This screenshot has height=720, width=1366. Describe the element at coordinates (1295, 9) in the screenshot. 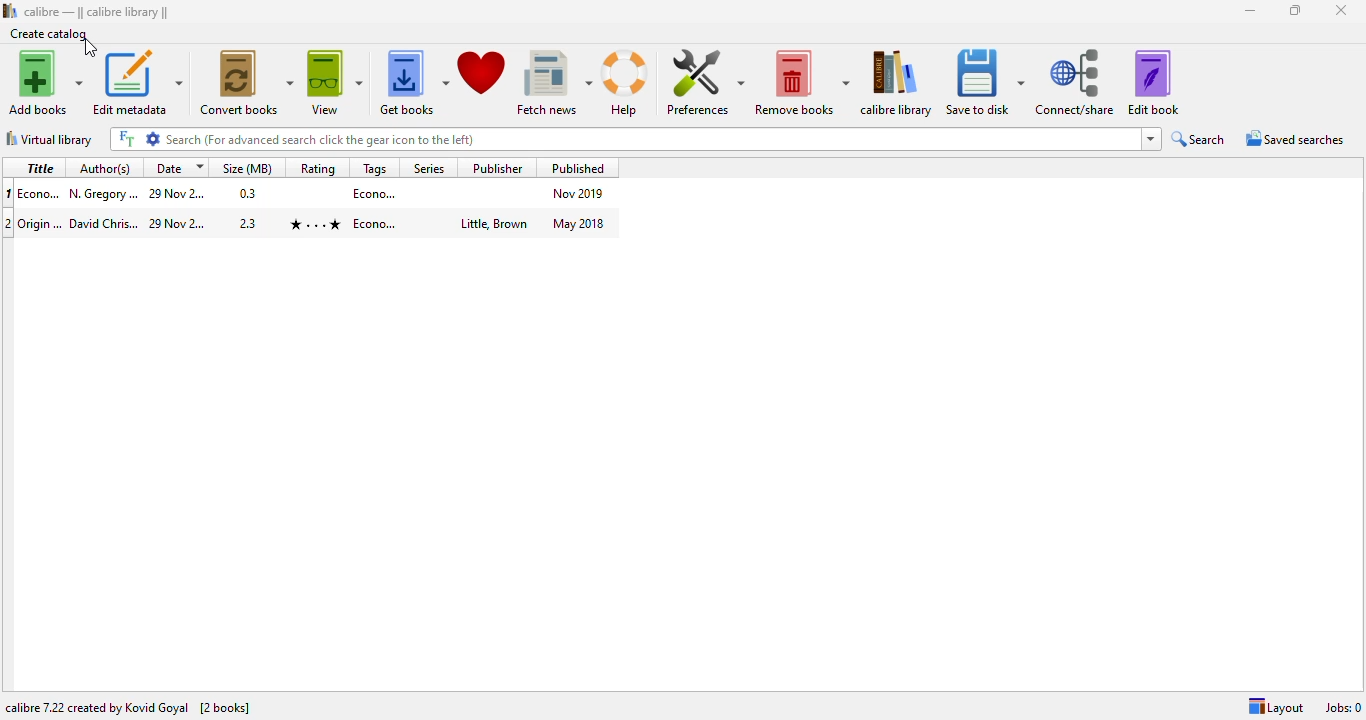

I see `maximize` at that location.